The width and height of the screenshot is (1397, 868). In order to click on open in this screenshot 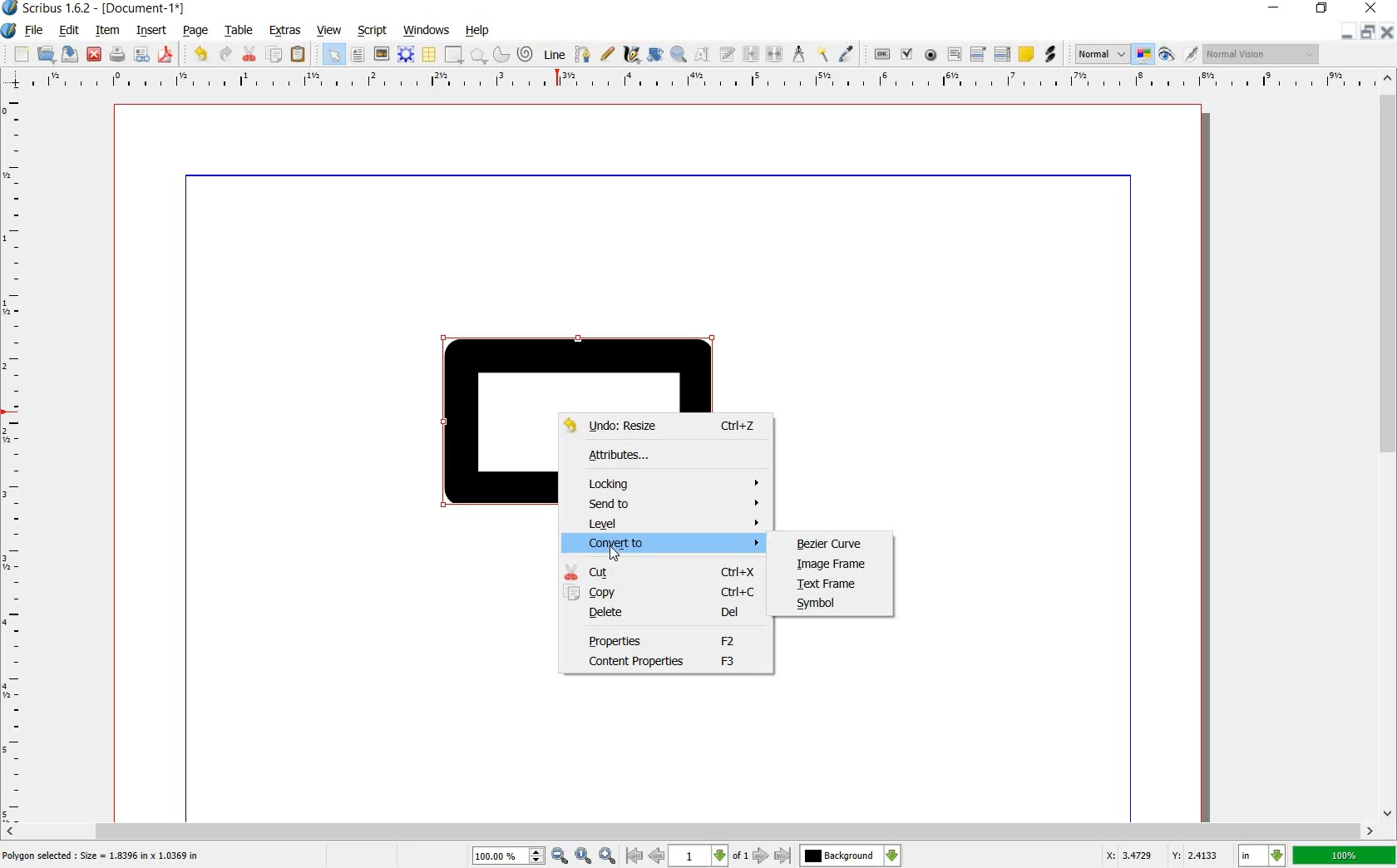, I will do `click(46, 55)`.